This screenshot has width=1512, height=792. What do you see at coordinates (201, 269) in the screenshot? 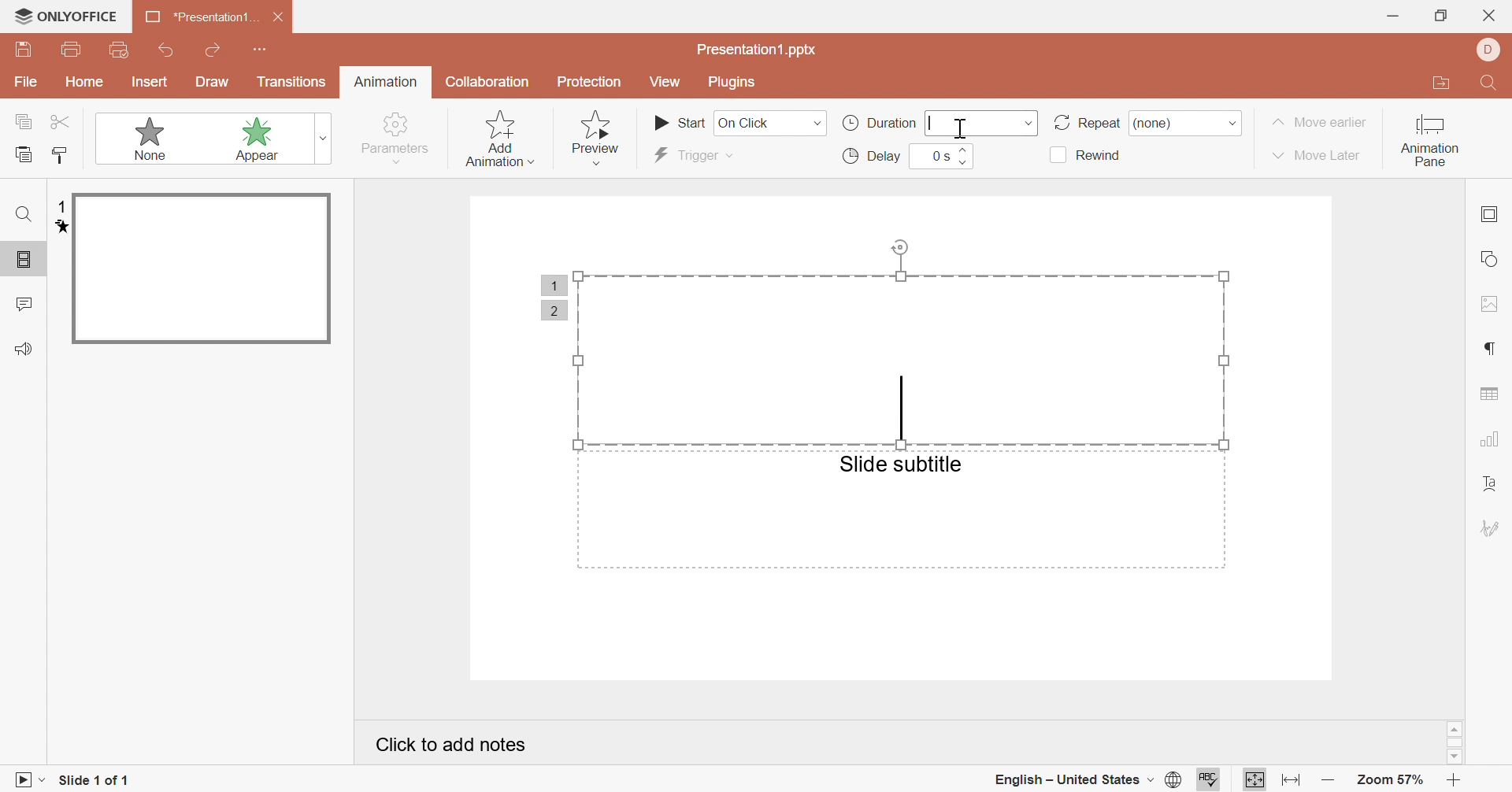
I see `slide` at bounding box center [201, 269].